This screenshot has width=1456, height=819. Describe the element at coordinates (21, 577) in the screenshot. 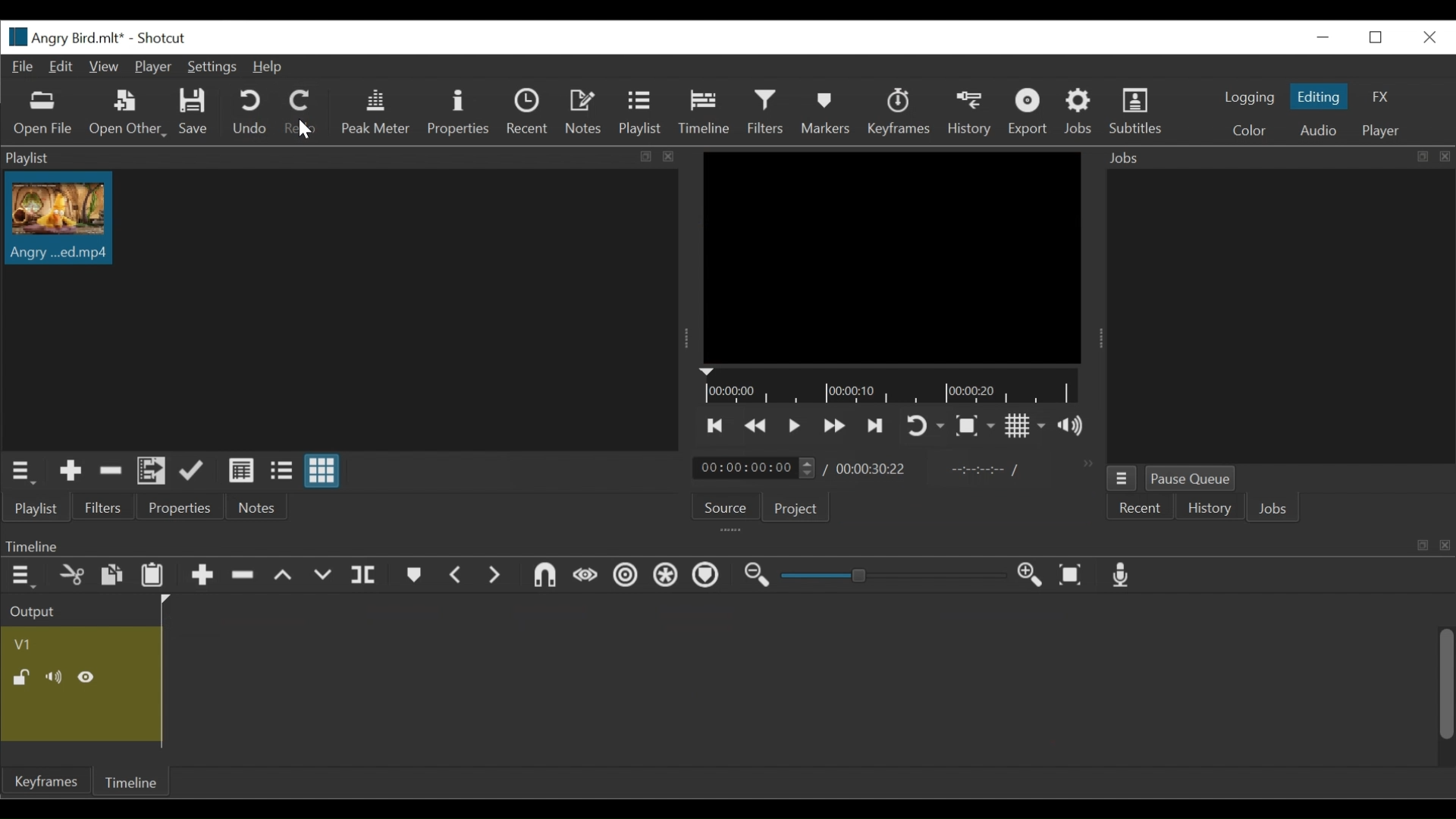

I see `Timeline menu` at that location.